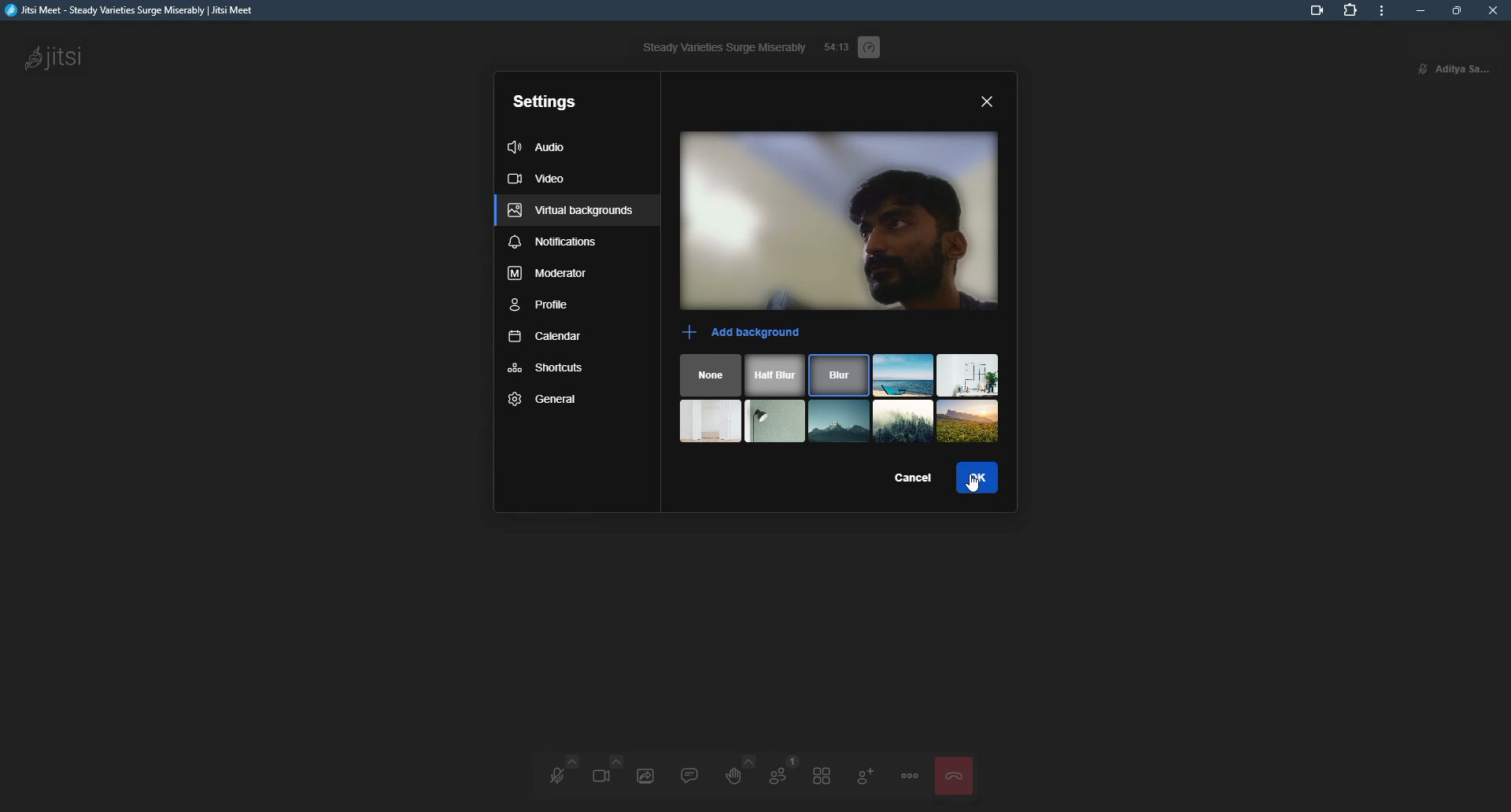 Image resolution: width=1511 pixels, height=812 pixels. What do you see at coordinates (981, 485) in the screenshot?
I see `Cursor` at bounding box center [981, 485].